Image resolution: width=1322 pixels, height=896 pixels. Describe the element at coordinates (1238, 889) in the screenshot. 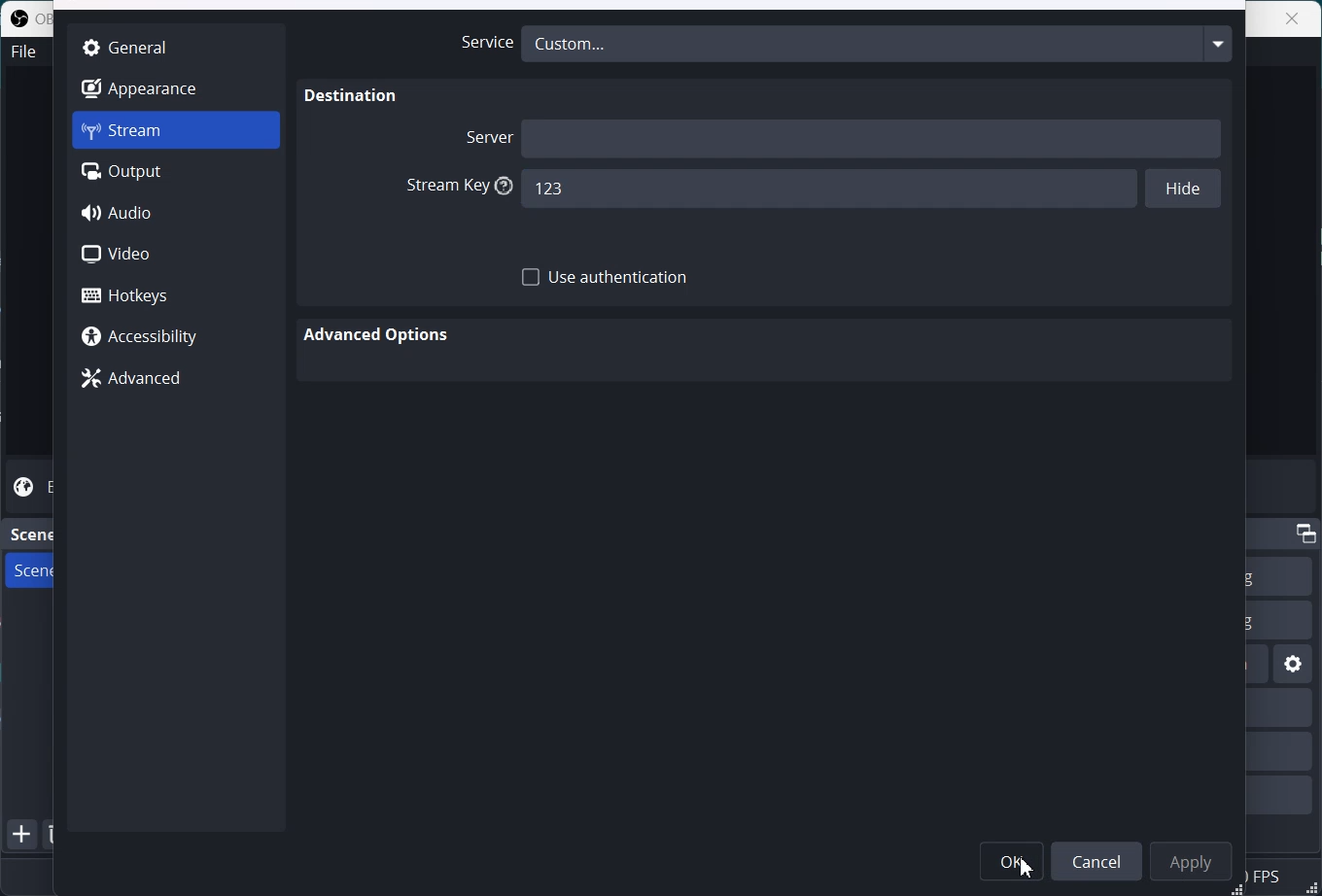

I see `Window adjuster` at that location.